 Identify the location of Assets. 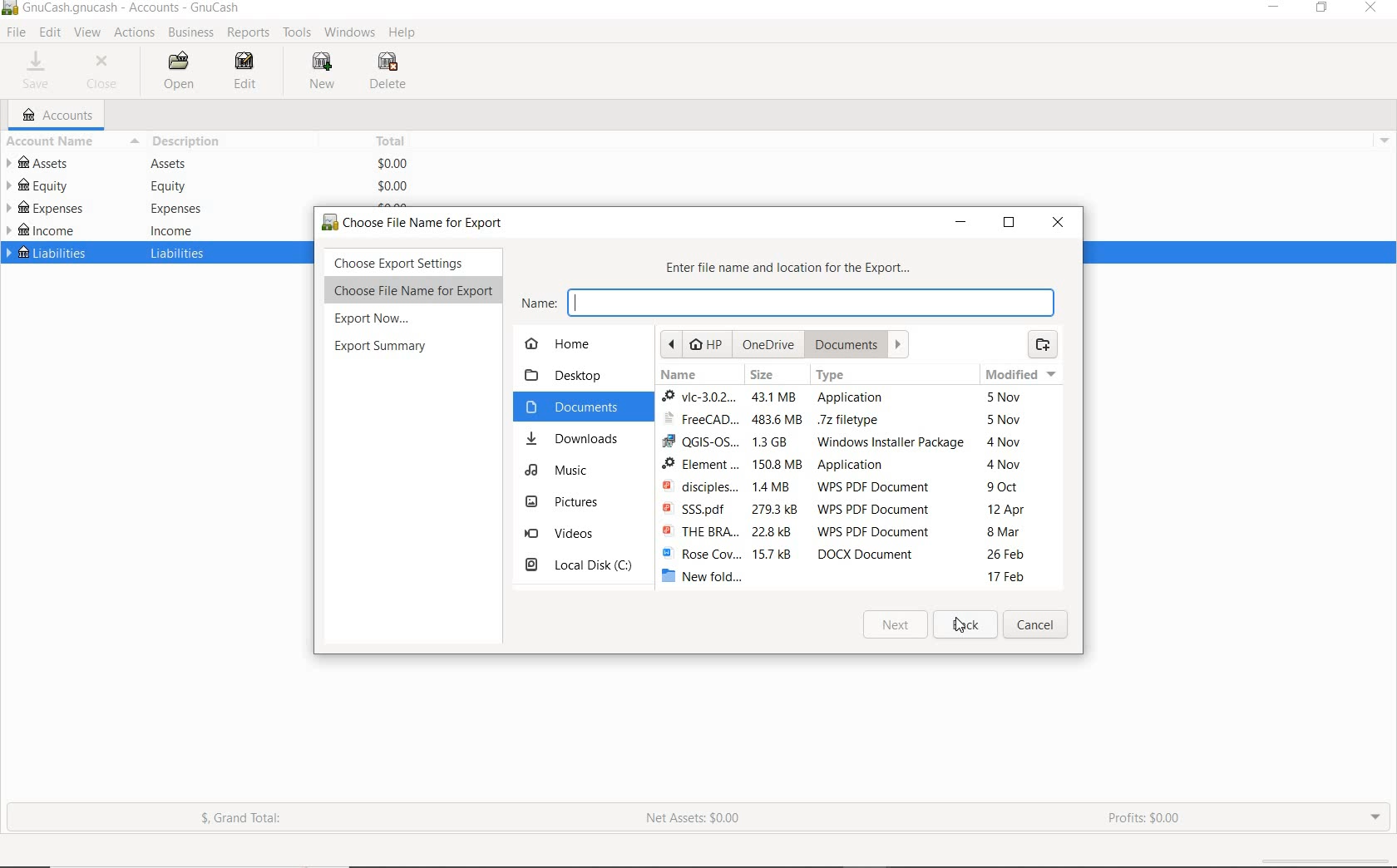
(170, 163).